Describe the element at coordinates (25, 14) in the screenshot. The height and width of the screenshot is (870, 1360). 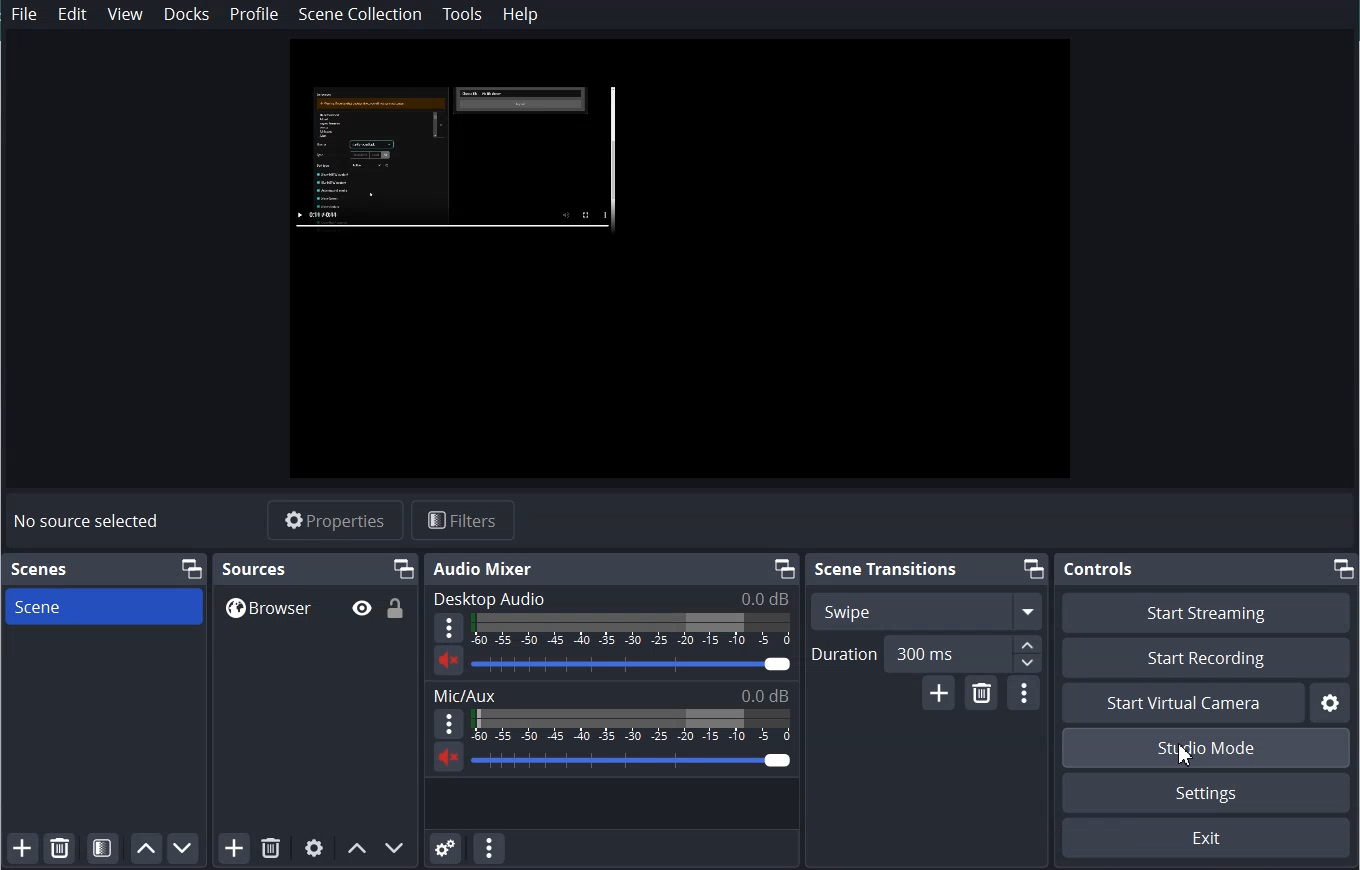
I see `File` at that location.